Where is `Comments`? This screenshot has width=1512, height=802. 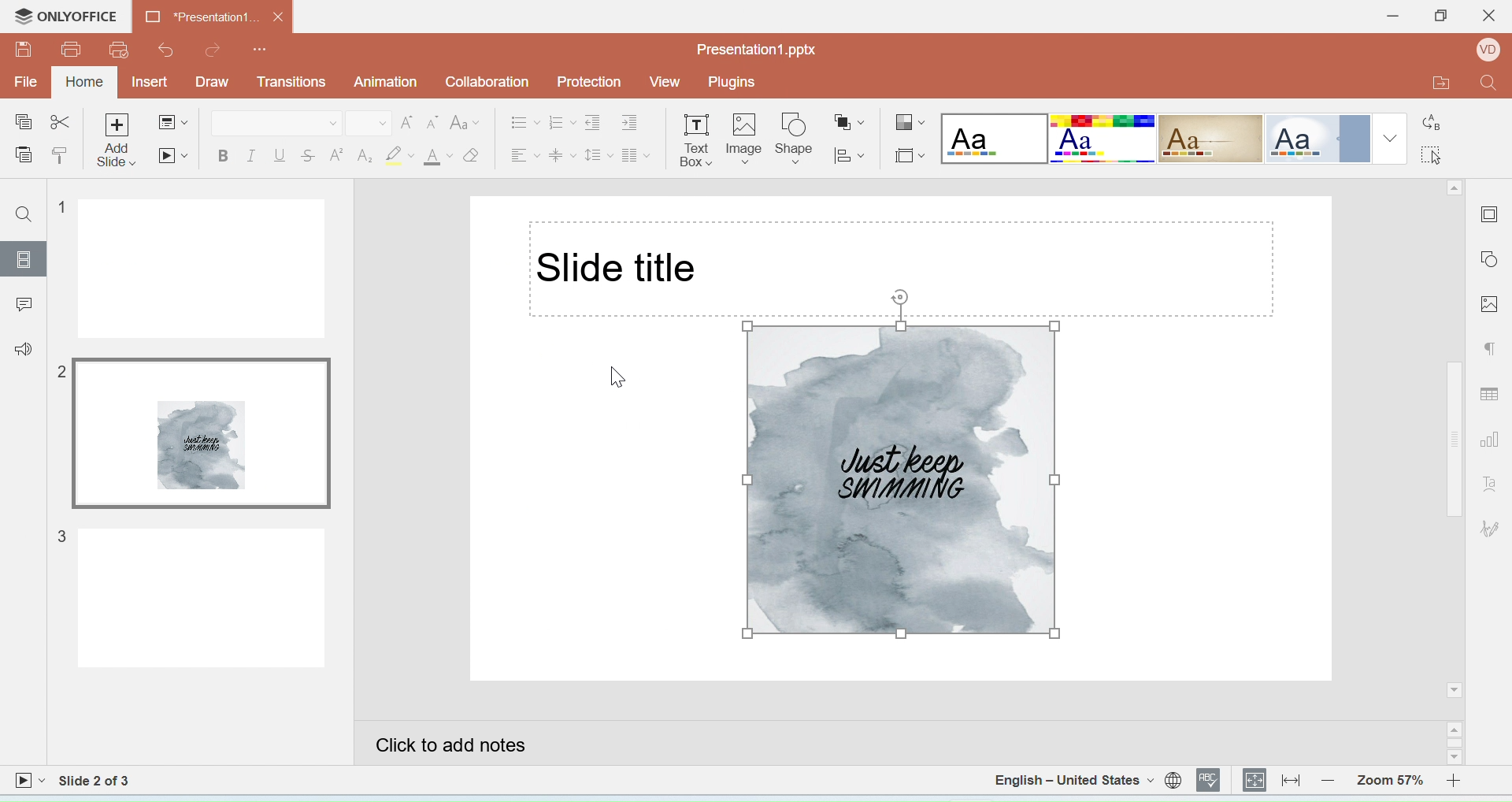 Comments is located at coordinates (22, 302).